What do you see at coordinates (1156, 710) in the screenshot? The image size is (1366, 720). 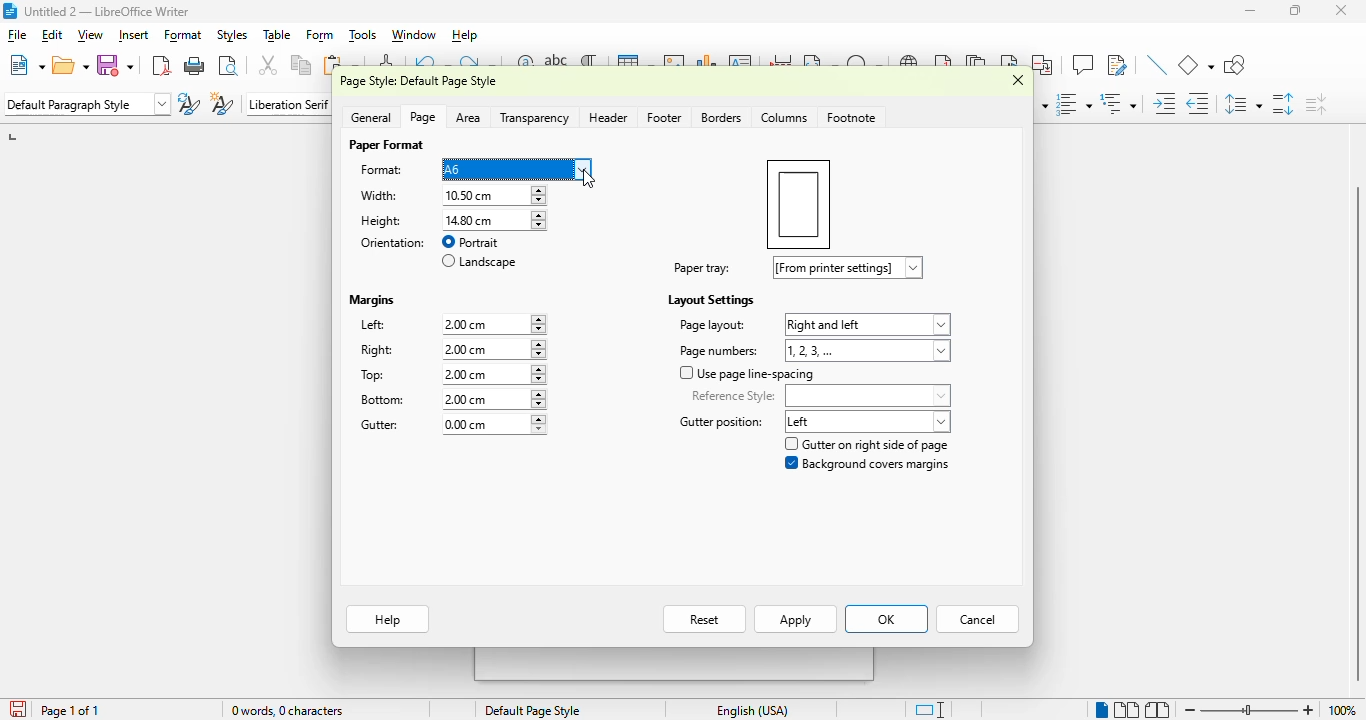 I see `book view` at bounding box center [1156, 710].